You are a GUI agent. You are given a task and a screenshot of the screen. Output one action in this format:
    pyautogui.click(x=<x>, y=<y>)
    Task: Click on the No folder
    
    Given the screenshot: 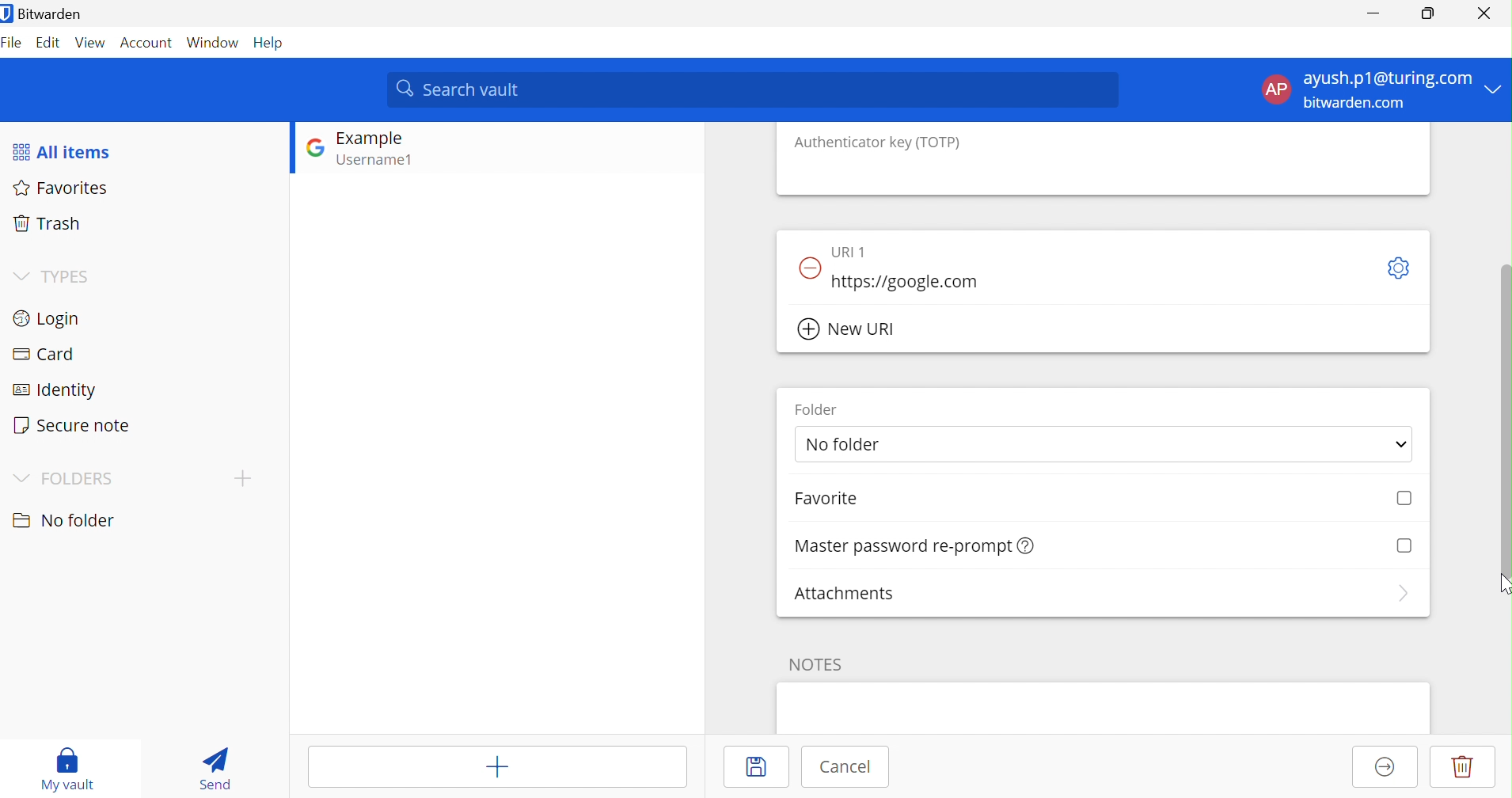 What is the action you would take?
    pyautogui.click(x=848, y=443)
    